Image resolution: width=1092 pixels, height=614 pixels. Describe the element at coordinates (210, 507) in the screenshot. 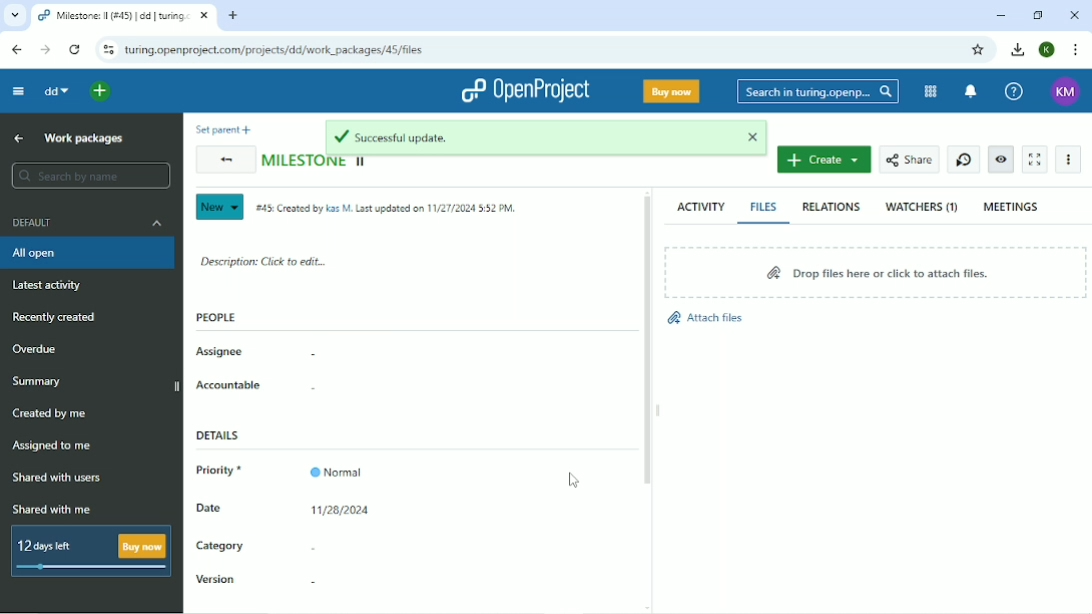

I see `Date` at that location.